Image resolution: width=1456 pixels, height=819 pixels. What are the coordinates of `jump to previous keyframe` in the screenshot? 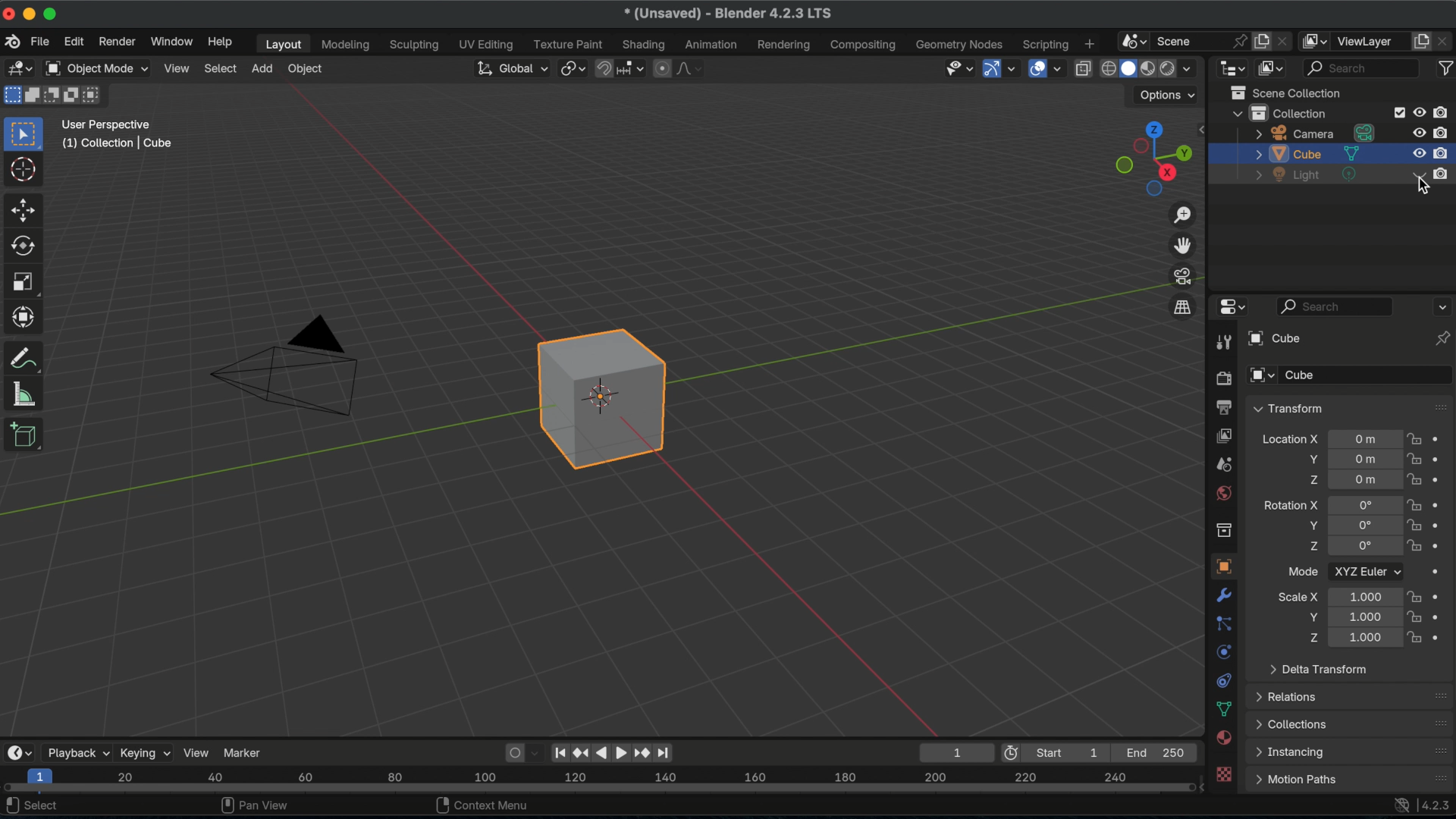 It's located at (579, 753).